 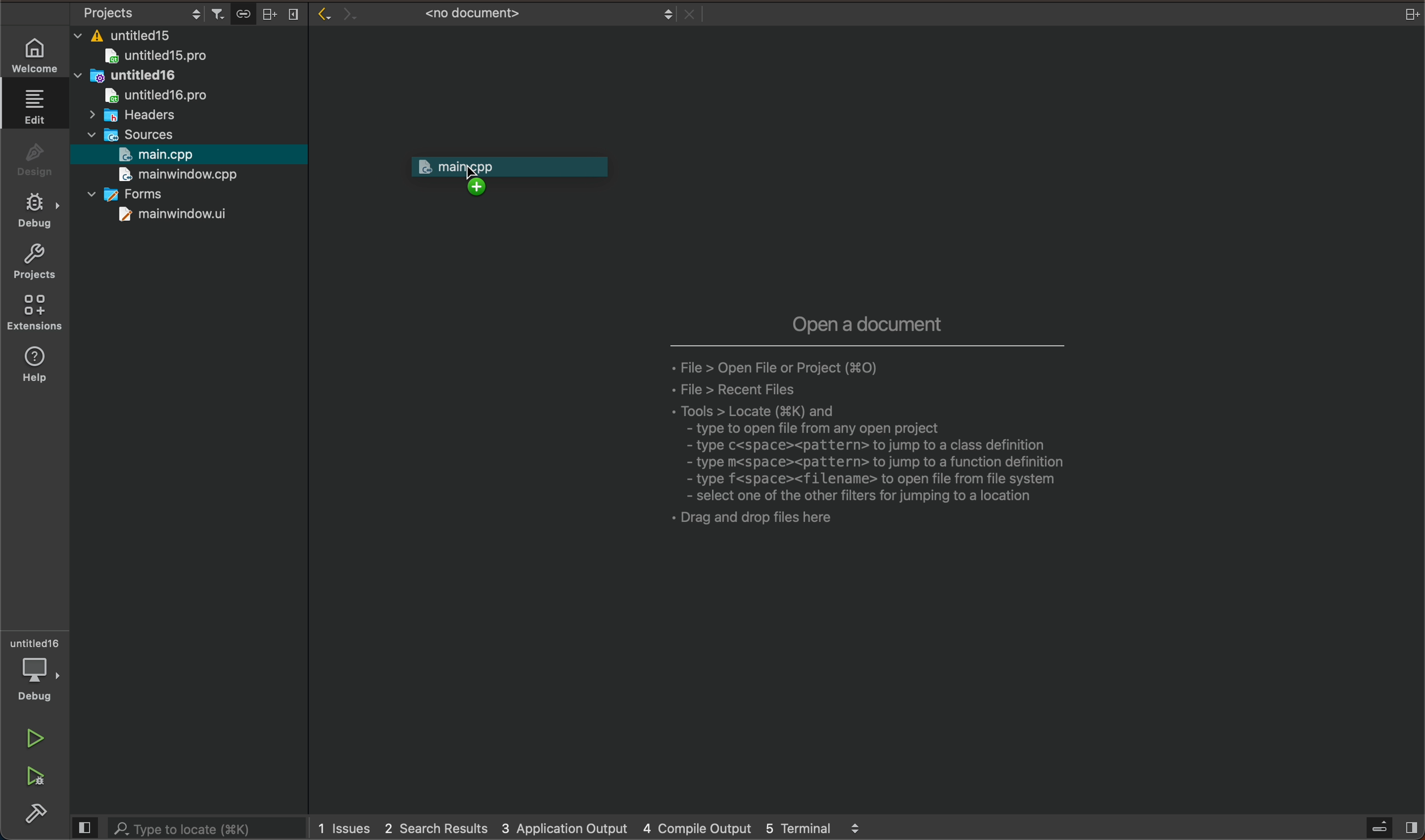 I want to click on build, so click(x=29, y=813).